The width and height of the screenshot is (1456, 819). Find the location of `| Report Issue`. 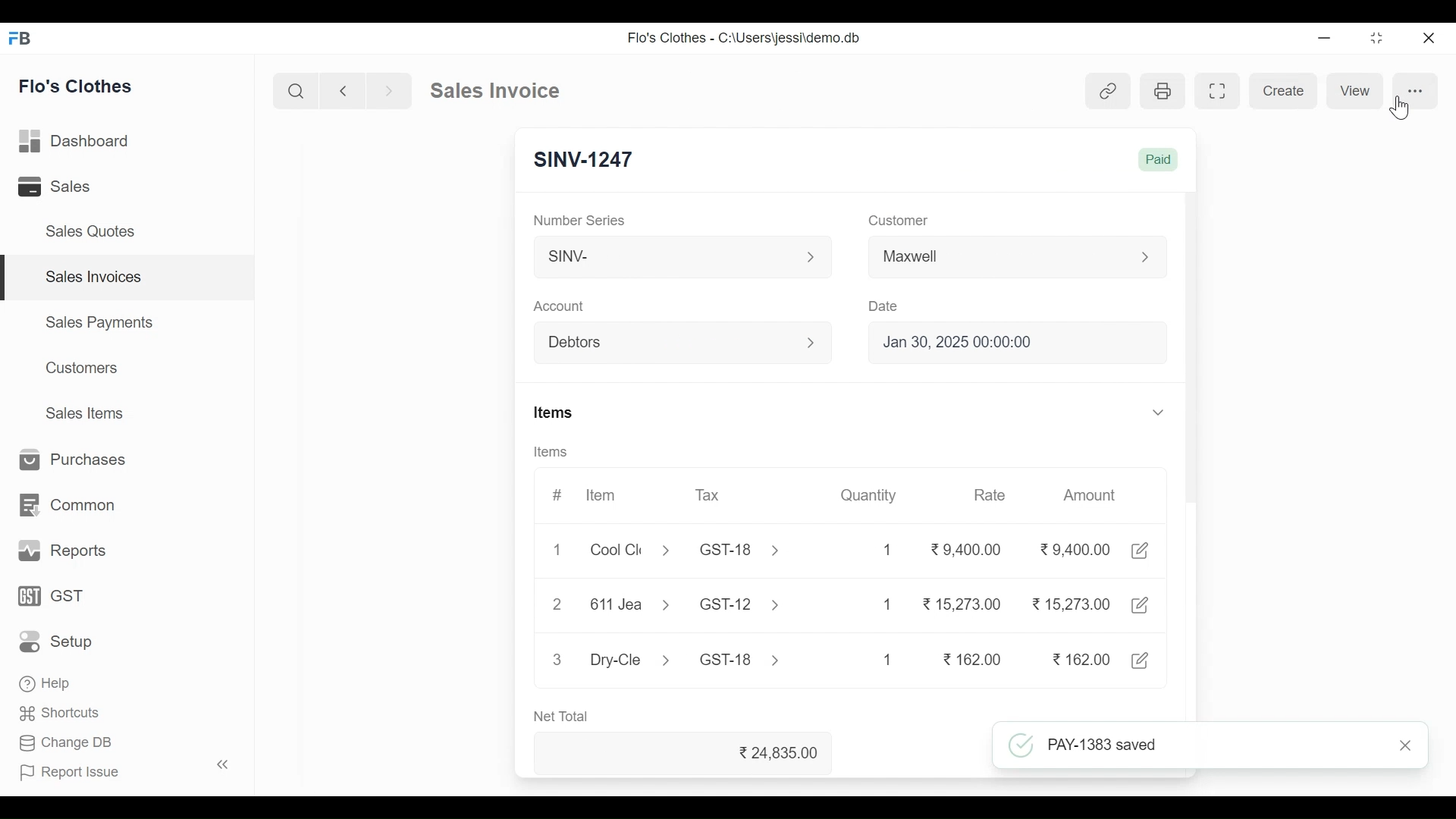

| Report Issue is located at coordinates (126, 770).